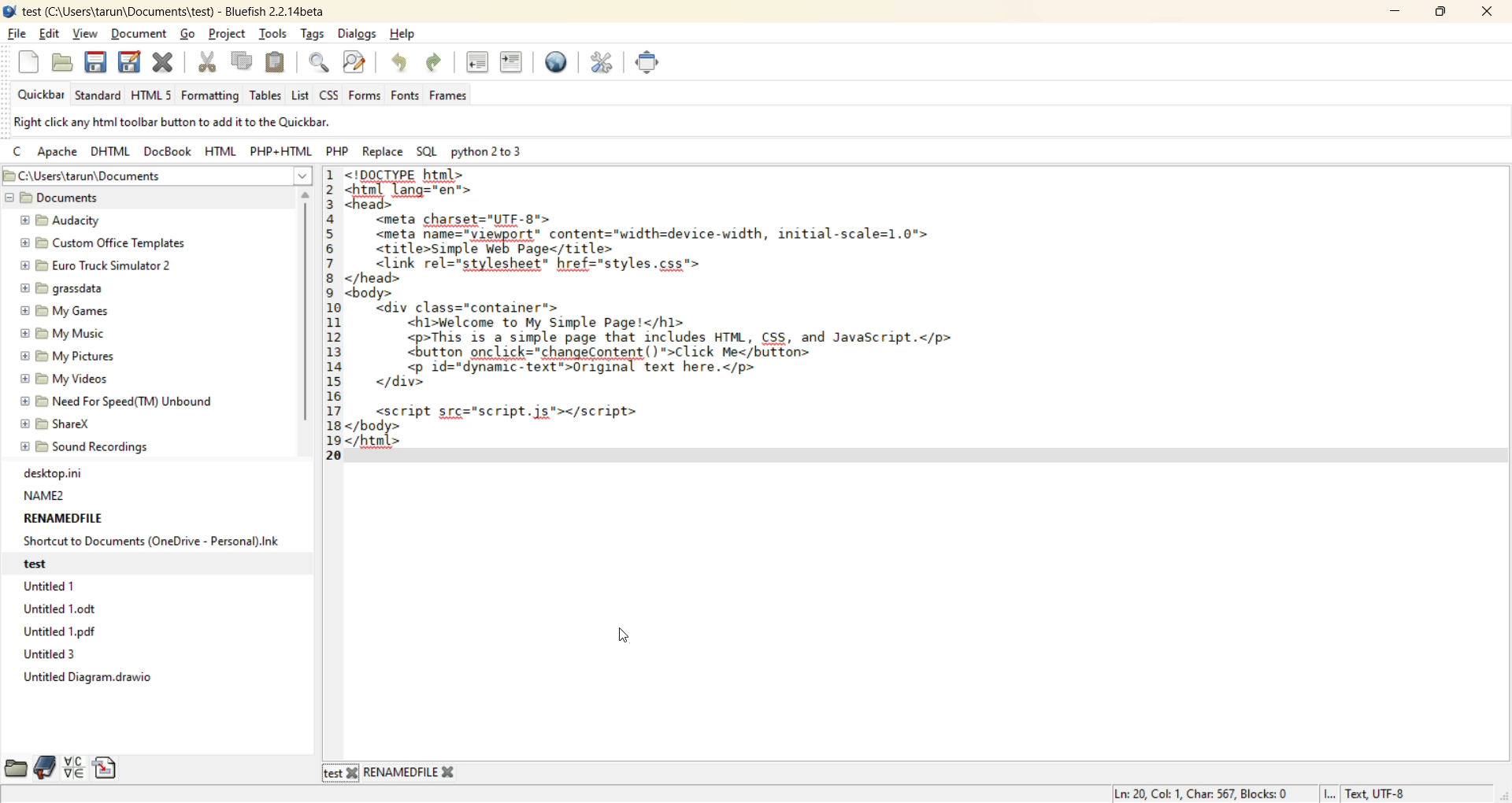 This screenshot has width=1512, height=803. What do you see at coordinates (65, 311) in the screenshot?
I see `My Games` at bounding box center [65, 311].